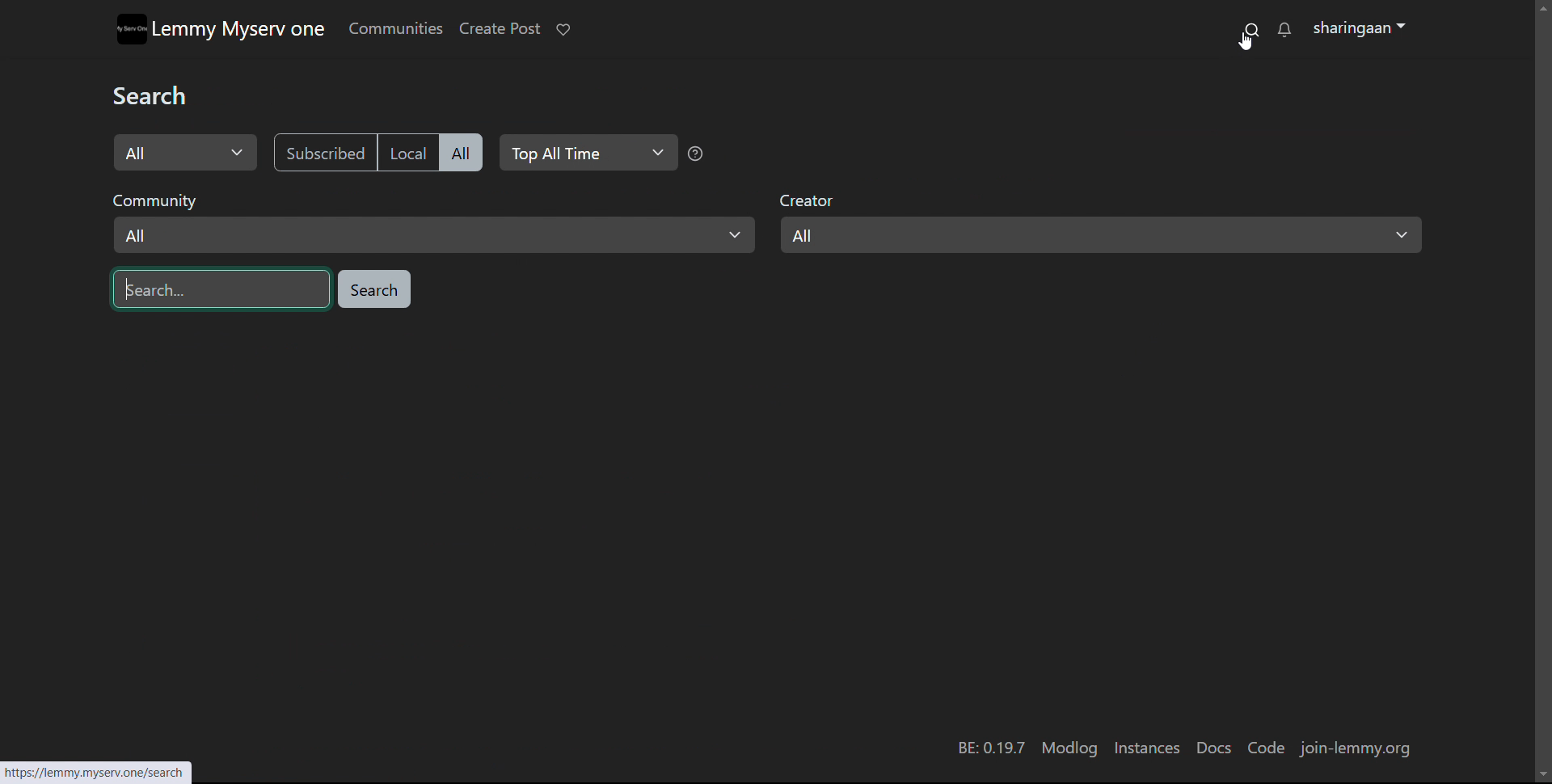  I want to click on search, so click(1250, 28).